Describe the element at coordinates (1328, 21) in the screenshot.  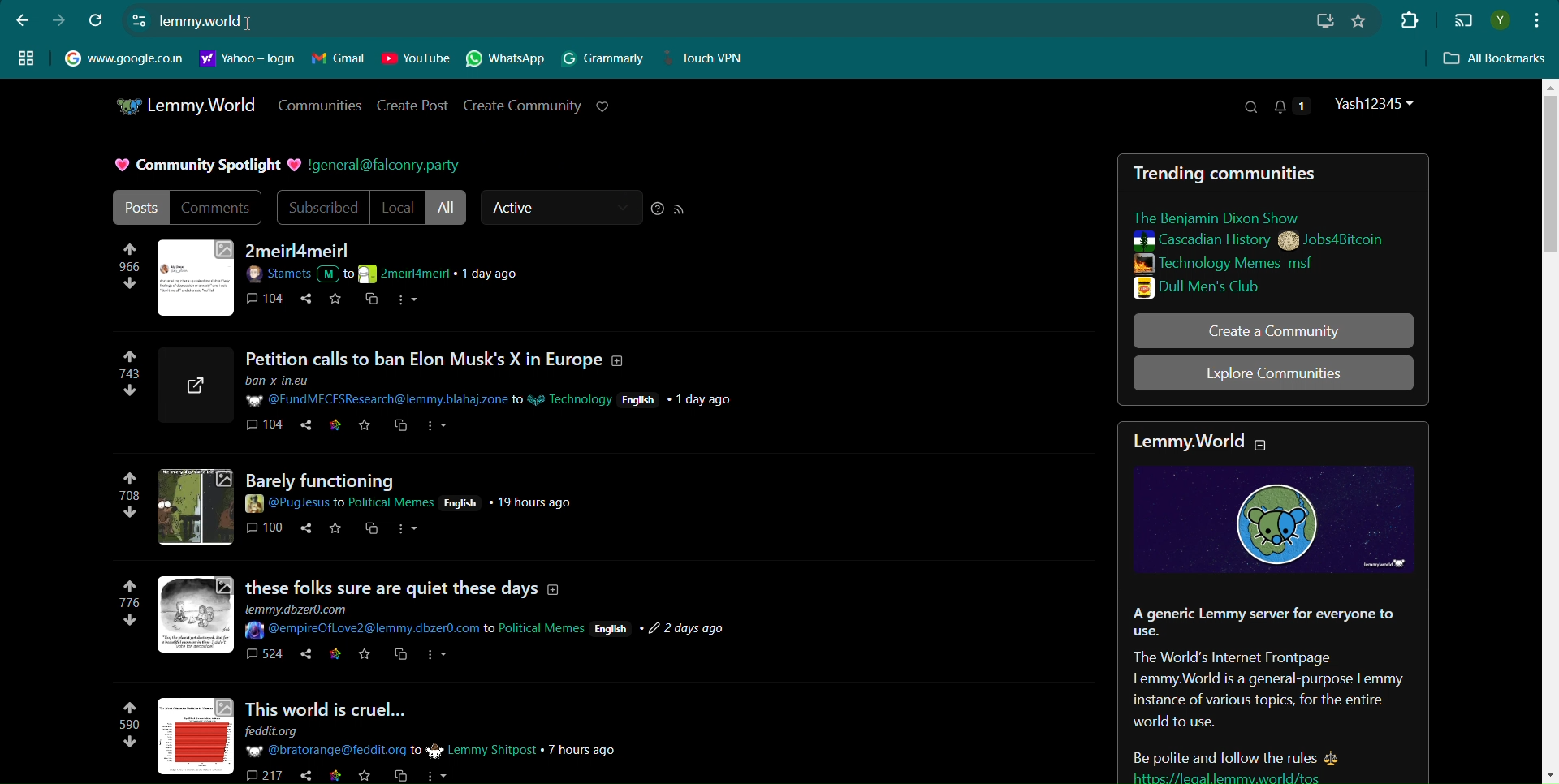
I see `Install Lemmy.world` at that location.